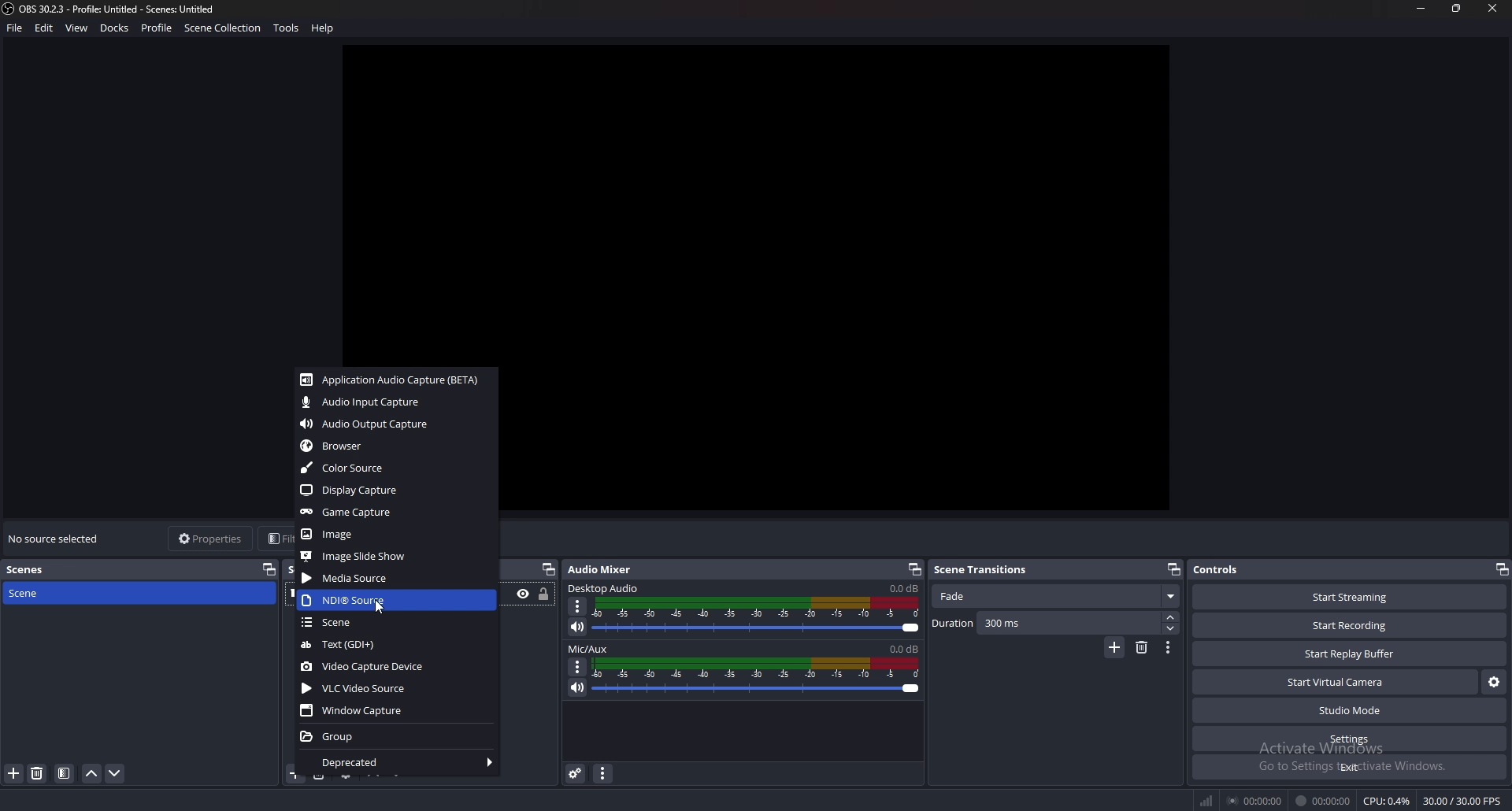 Image resolution: width=1512 pixels, height=811 pixels. What do you see at coordinates (46, 28) in the screenshot?
I see `edit` at bounding box center [46, 28].